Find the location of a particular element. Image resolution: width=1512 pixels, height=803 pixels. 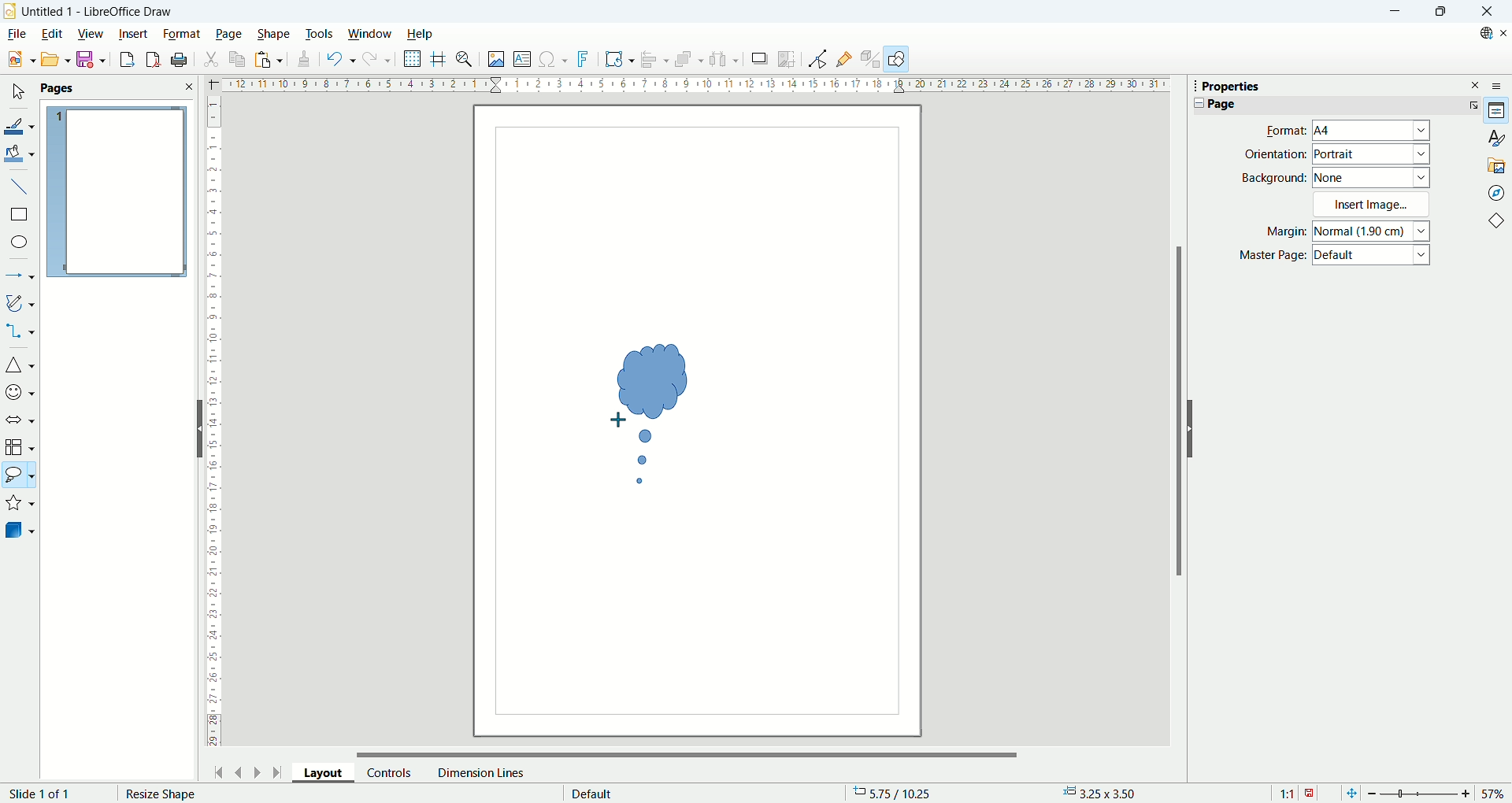

insert special character is located at coordinates (555, 58).